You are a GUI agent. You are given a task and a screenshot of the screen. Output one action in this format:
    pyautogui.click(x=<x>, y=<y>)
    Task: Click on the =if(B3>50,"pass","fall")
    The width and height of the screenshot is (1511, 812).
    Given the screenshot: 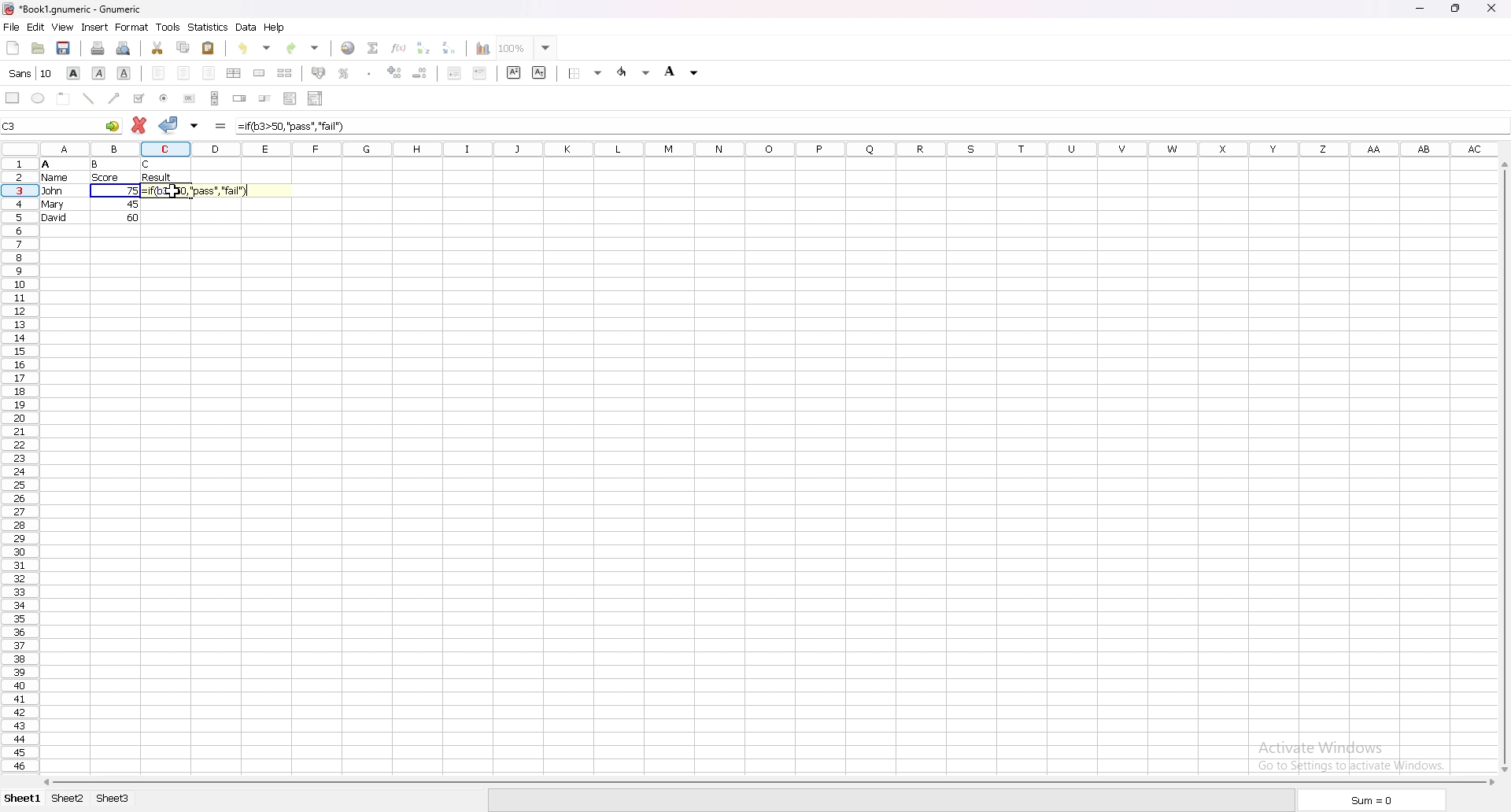 What is the action you would take?
    pyautogui.click(x=198, y=192)
    